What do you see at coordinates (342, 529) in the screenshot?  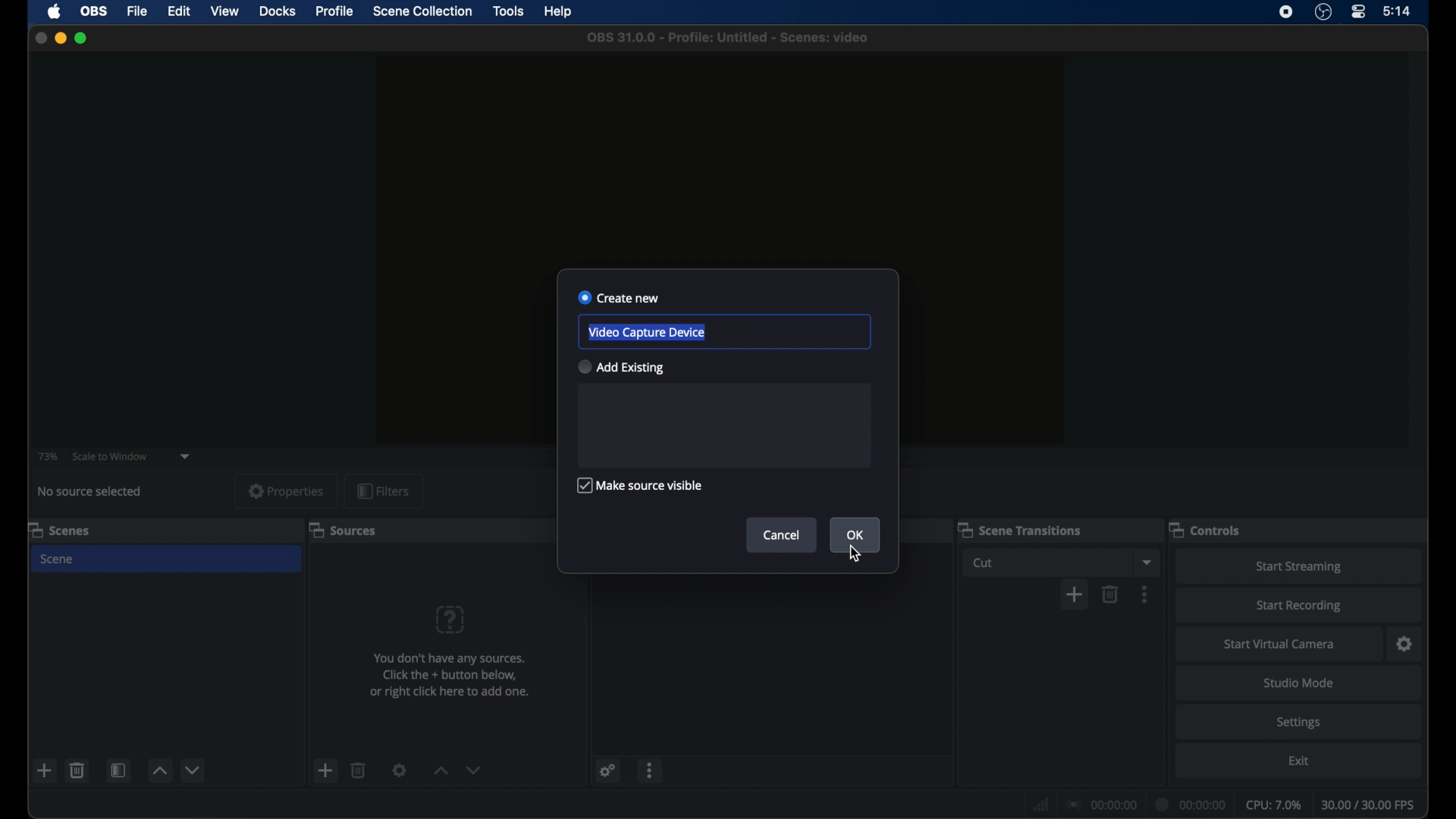 I see `sources` at bounding box center [342, 529].